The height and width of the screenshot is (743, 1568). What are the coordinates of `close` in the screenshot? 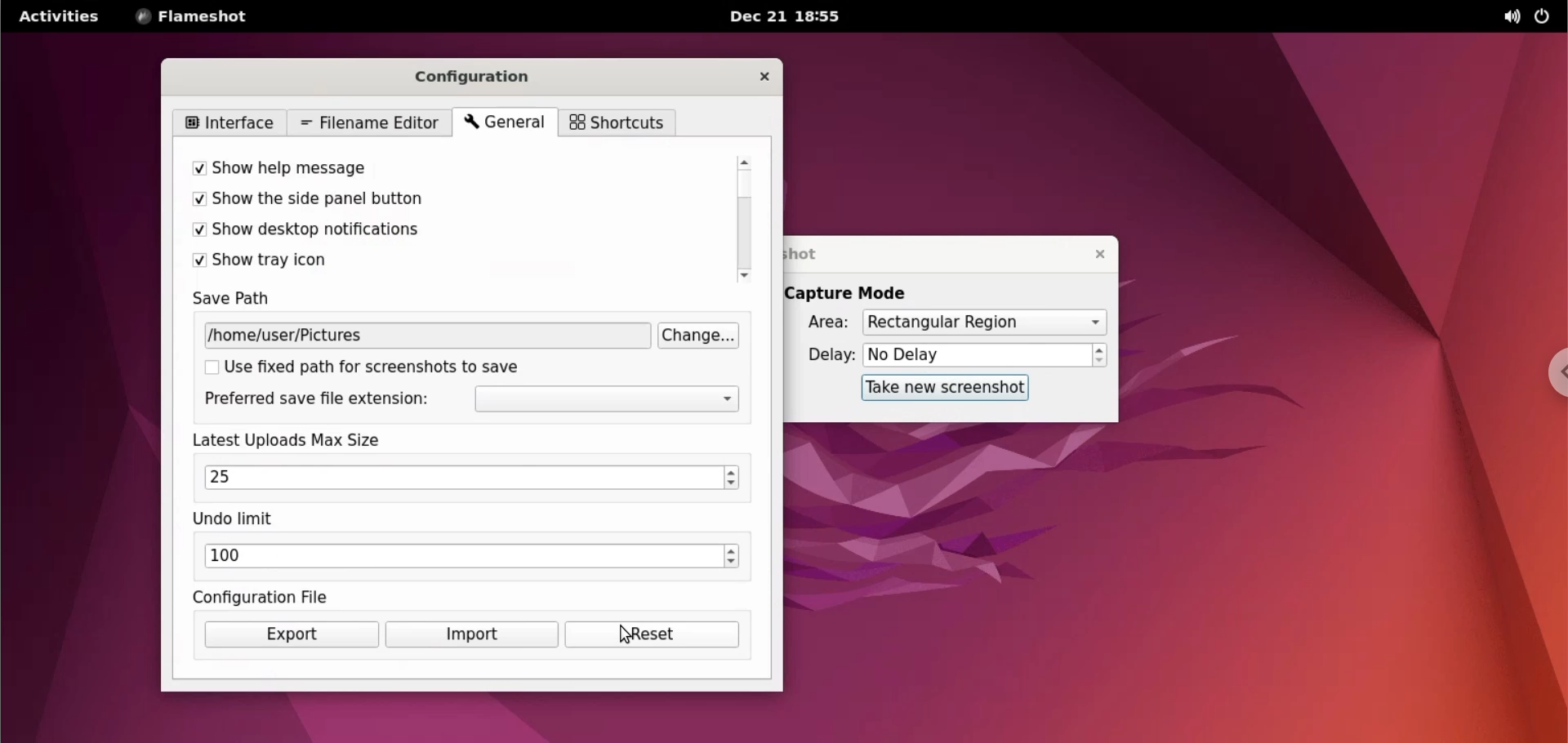 It's located at (1092, 254).